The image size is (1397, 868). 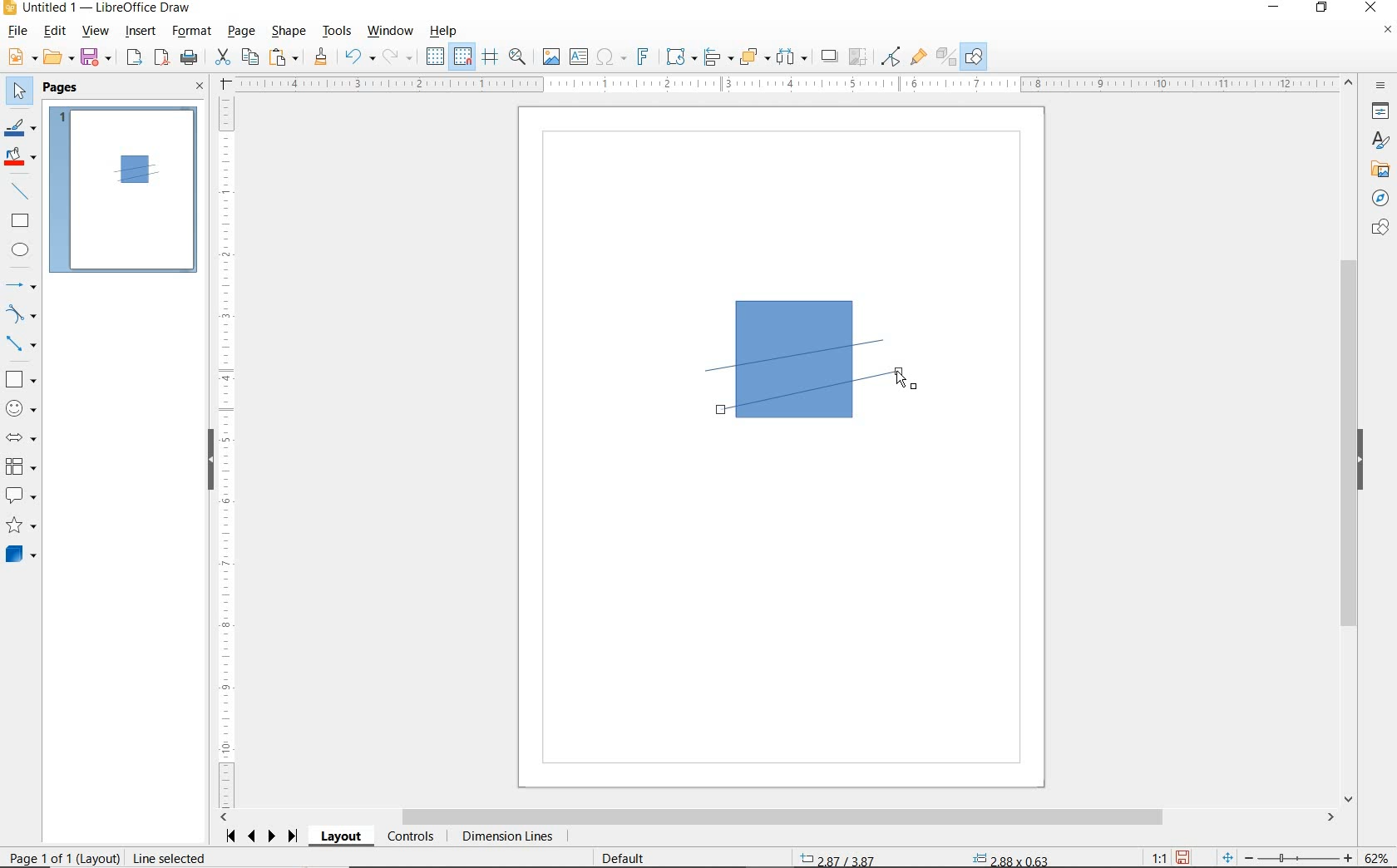 I want to click on SCROLL NEXT, so click(x=263, y=836).